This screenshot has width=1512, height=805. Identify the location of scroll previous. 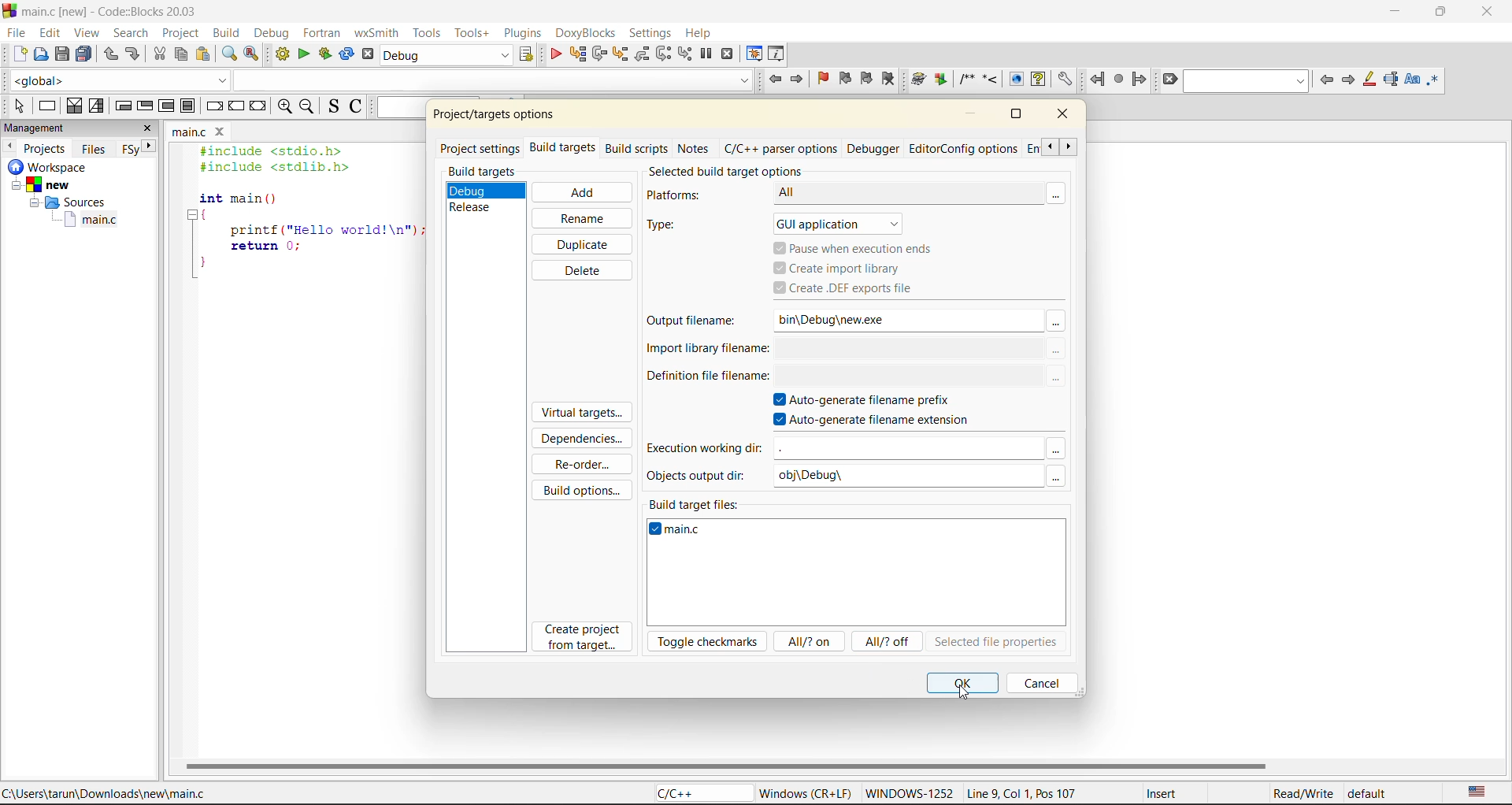
(1050, 145).